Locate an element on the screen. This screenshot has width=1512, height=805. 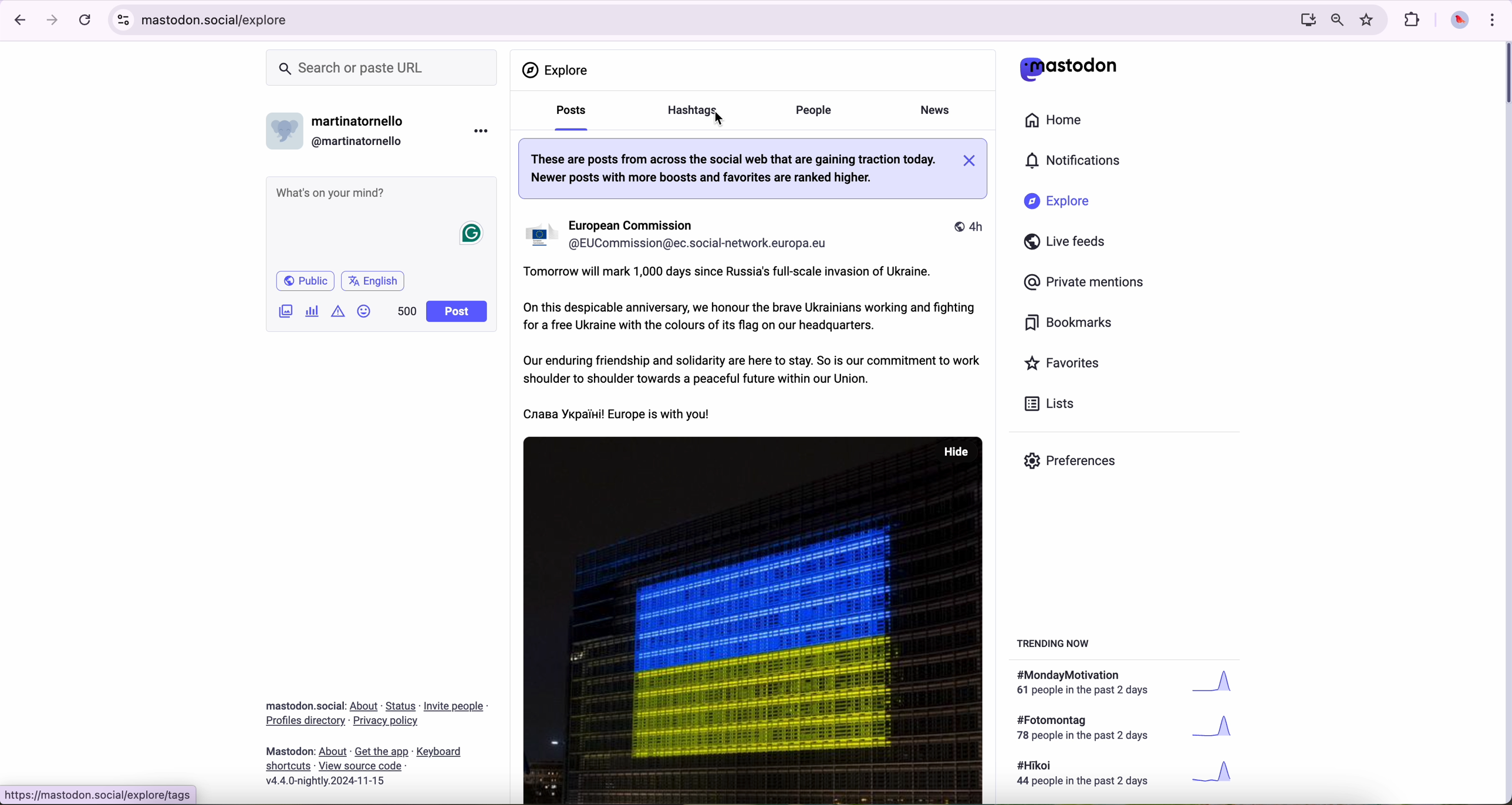
graph is located at coordinates (1217, 773).